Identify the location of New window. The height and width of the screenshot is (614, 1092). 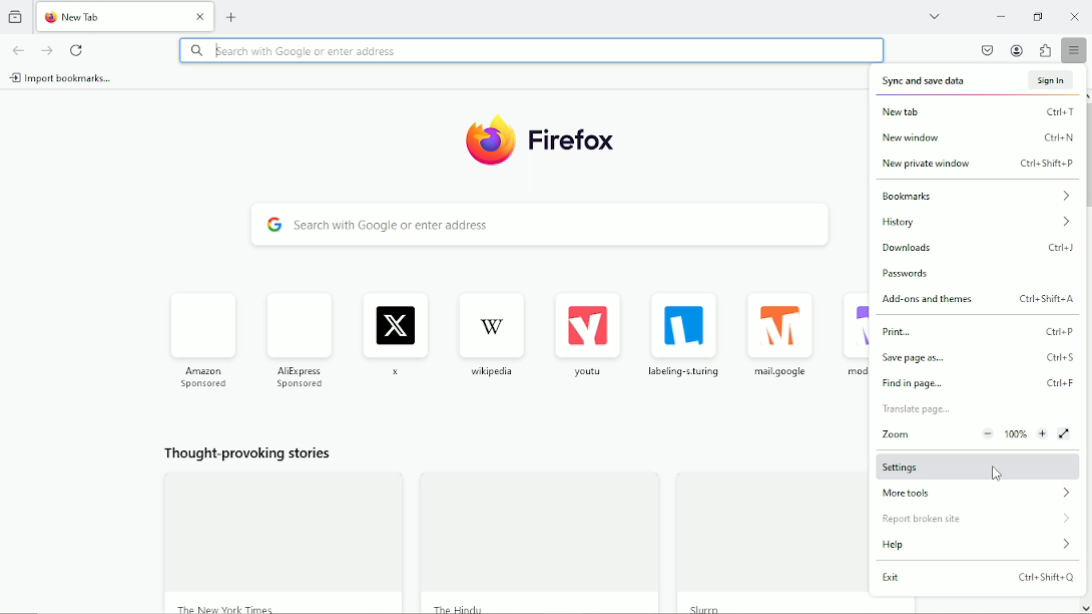
(980, 136).